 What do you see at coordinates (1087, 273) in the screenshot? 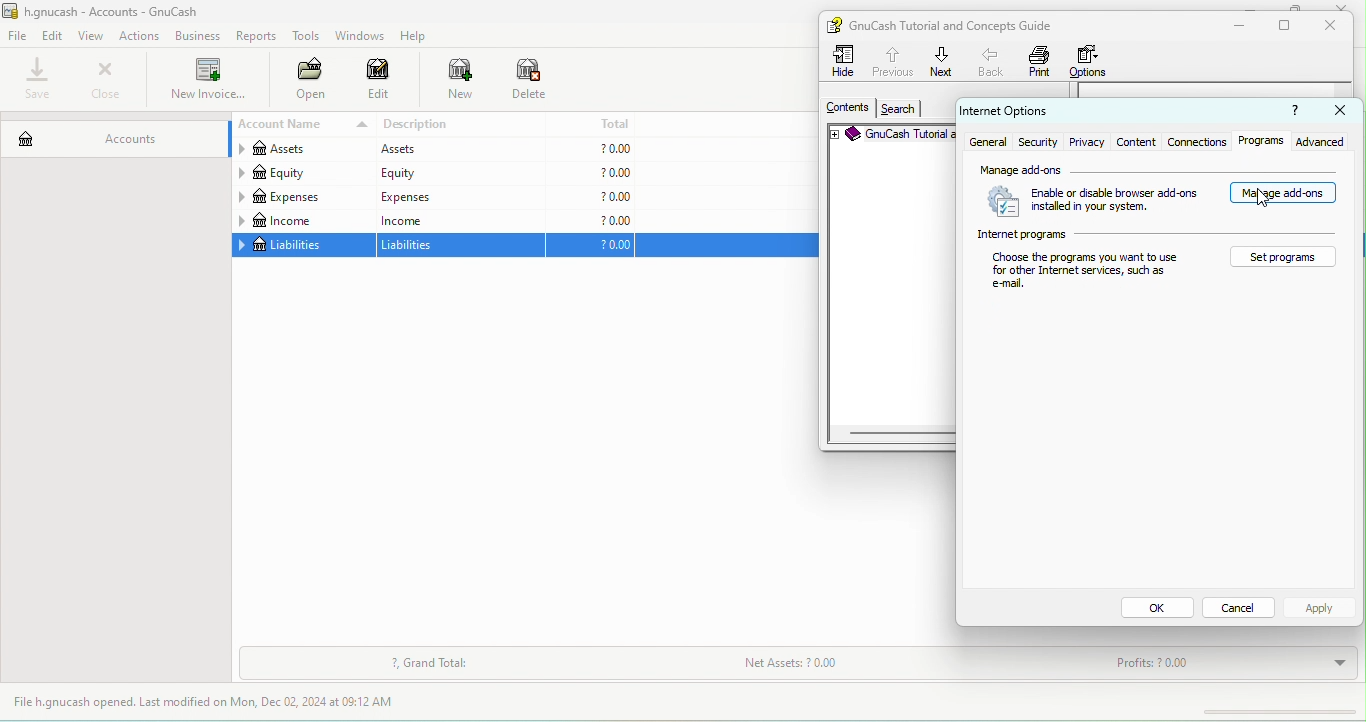
I see `choose the programs you want to use for other internet services, such as email` at bounding box center [1087, 273].